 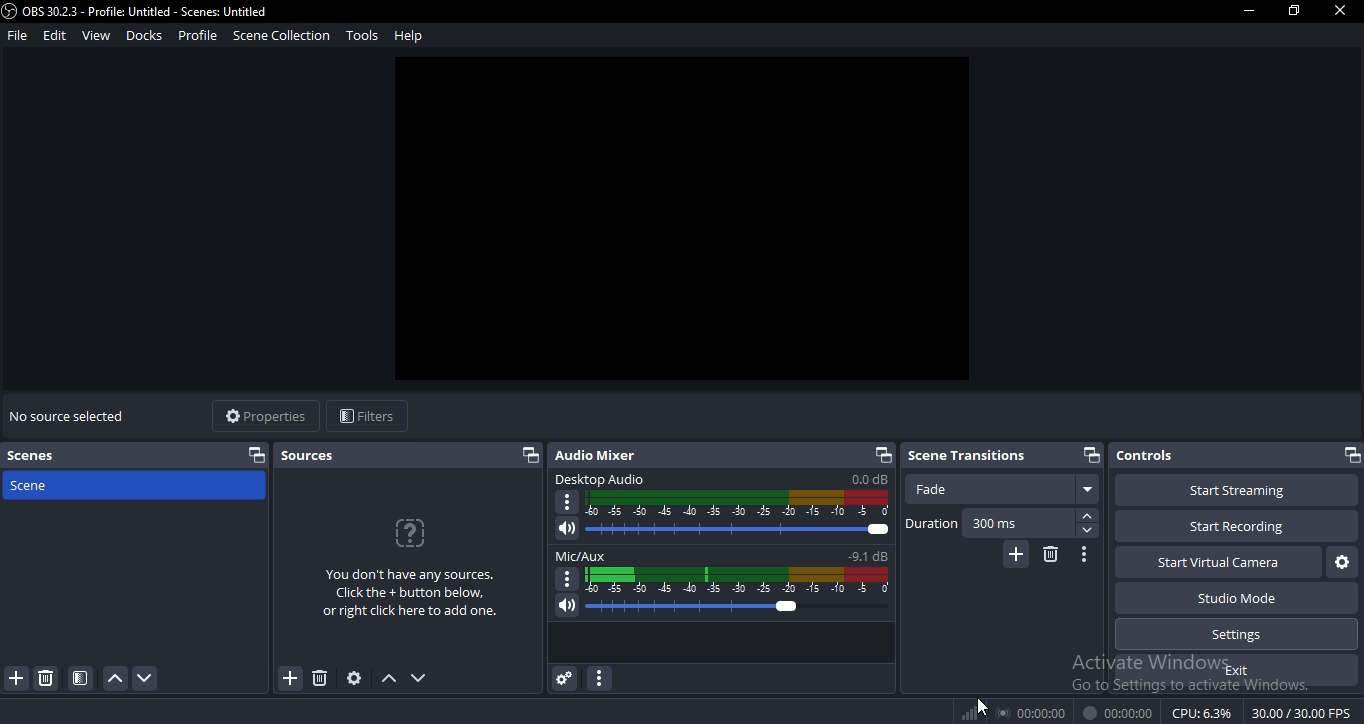 I want to click on mic/aux, so click(x=718, y=556).